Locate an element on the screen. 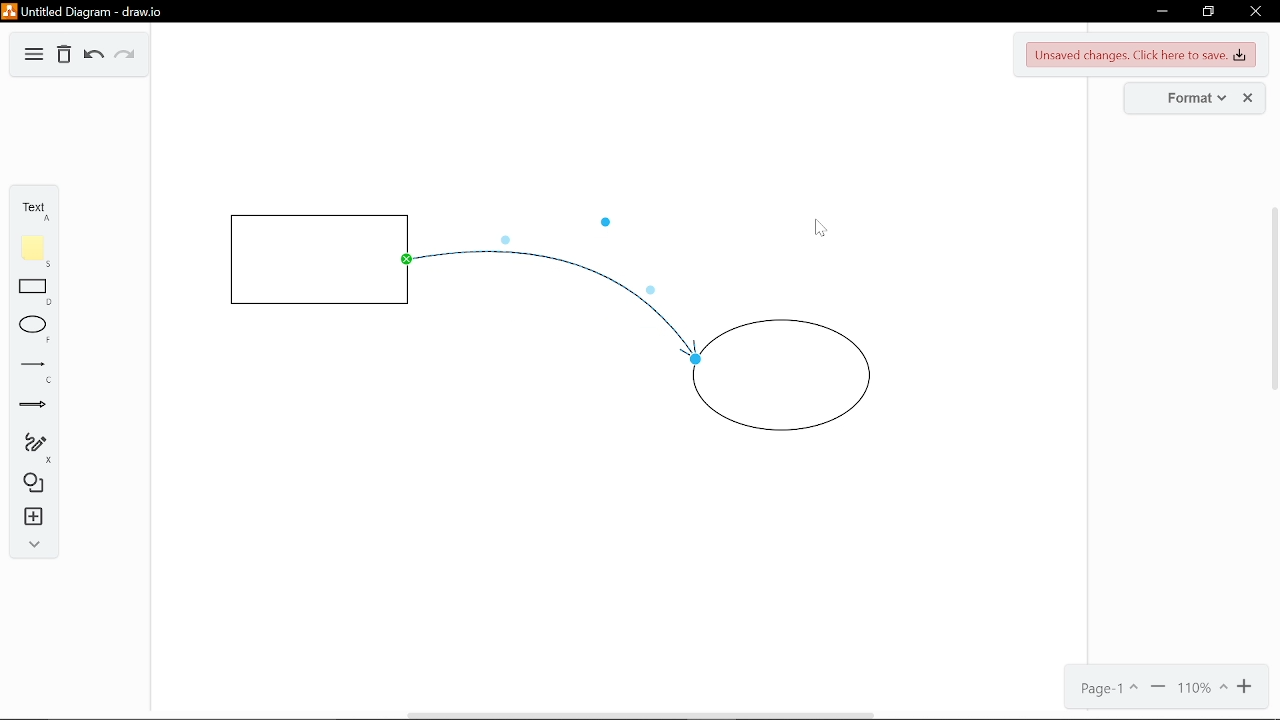 The width and height of the screenshot is (1280, 720). Current zoom is located at coordinates (1202, 687).